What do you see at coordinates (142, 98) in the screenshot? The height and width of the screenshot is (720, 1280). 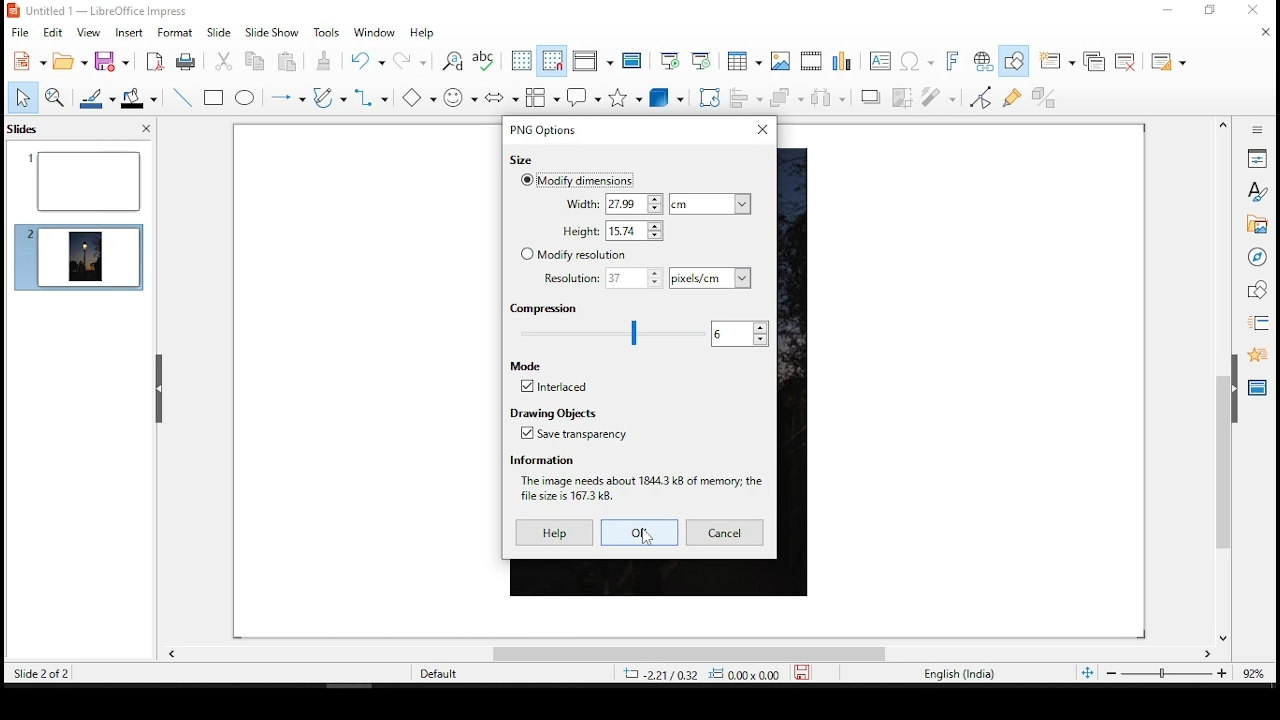 I see `fill color` at bounding box center [142, 98].